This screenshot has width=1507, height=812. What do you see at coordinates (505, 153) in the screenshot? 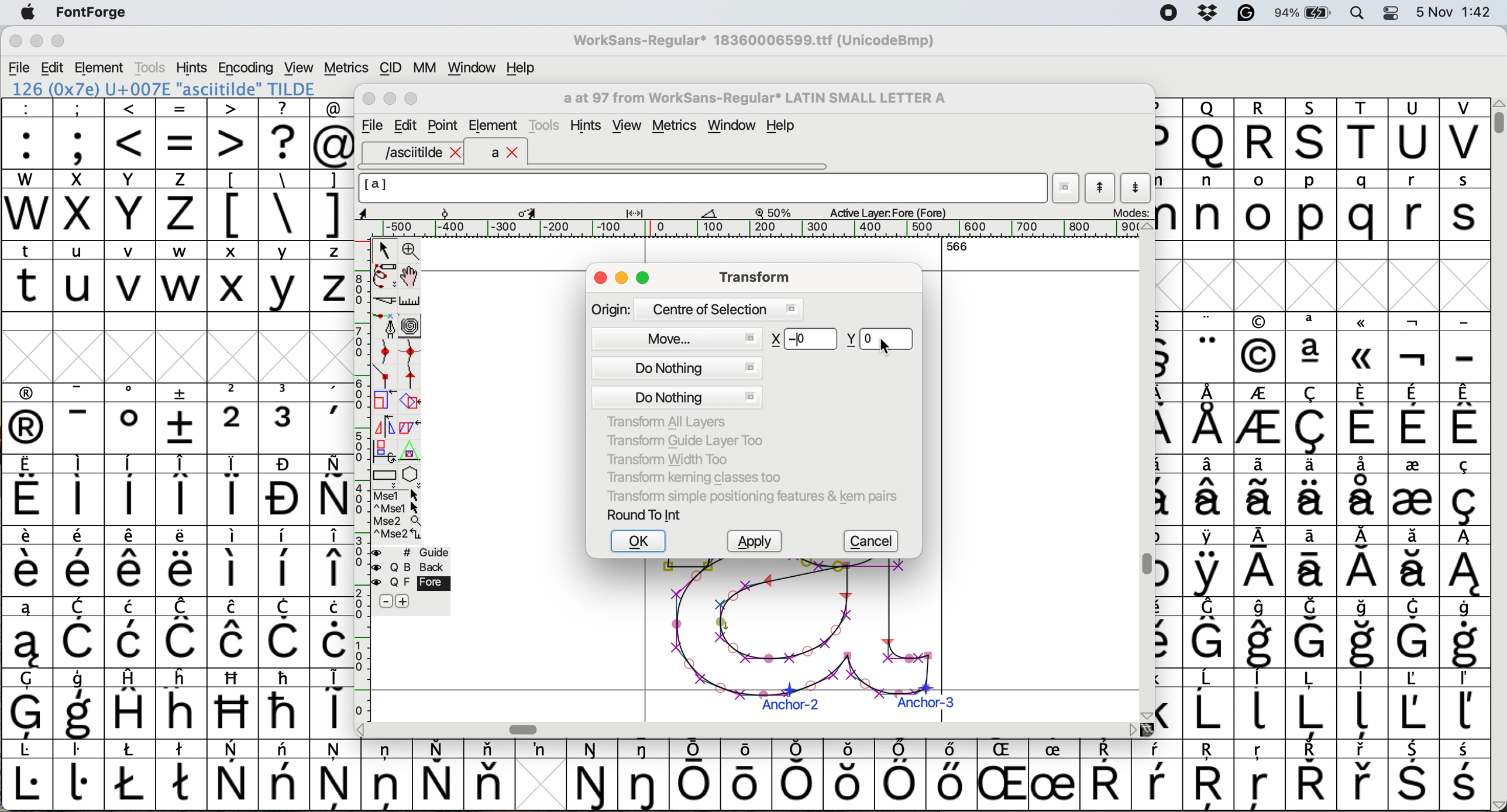
I see `a` at bounding box center [505, 153].